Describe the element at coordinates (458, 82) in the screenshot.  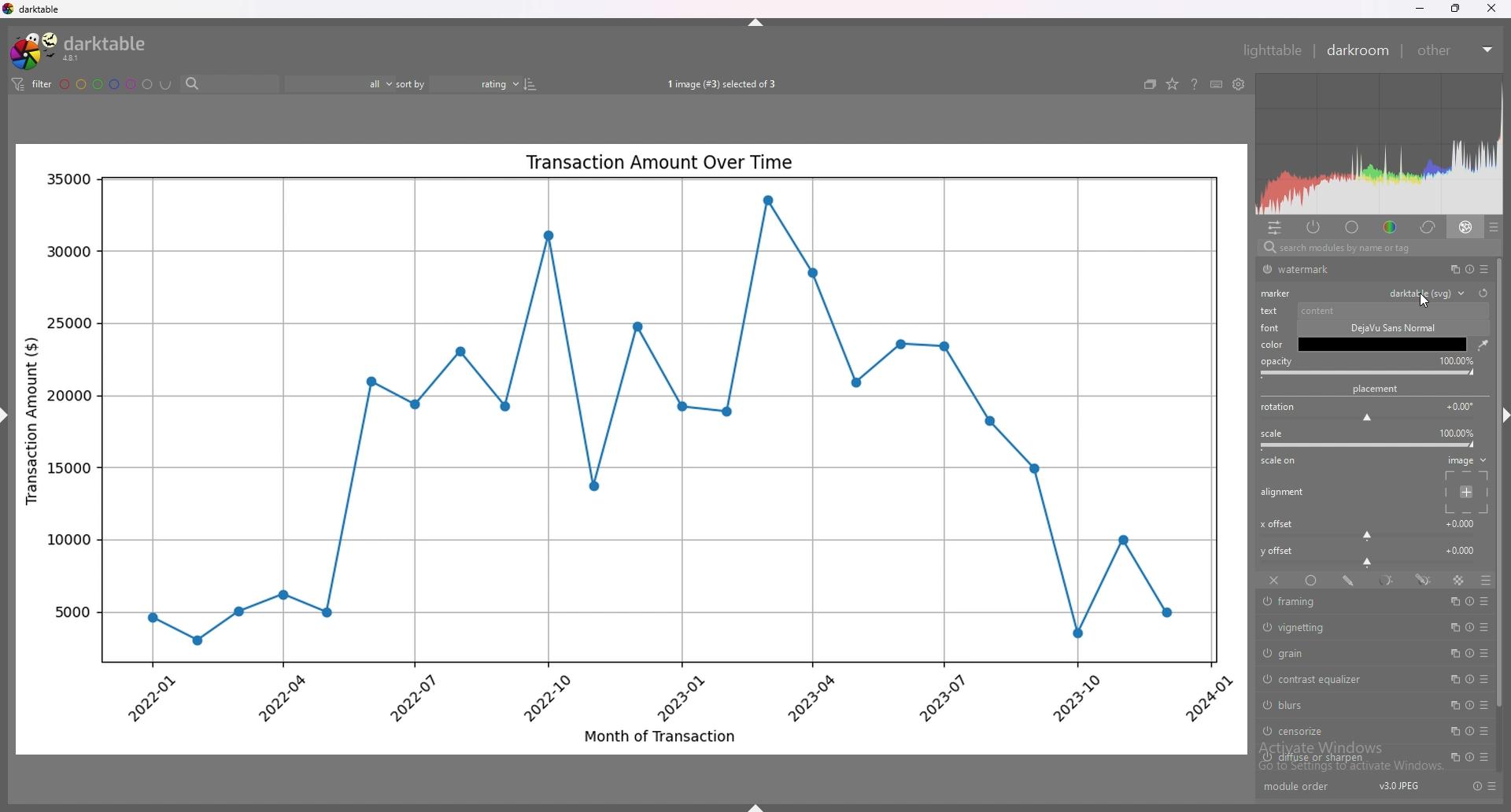
I see `sort by` at that location.